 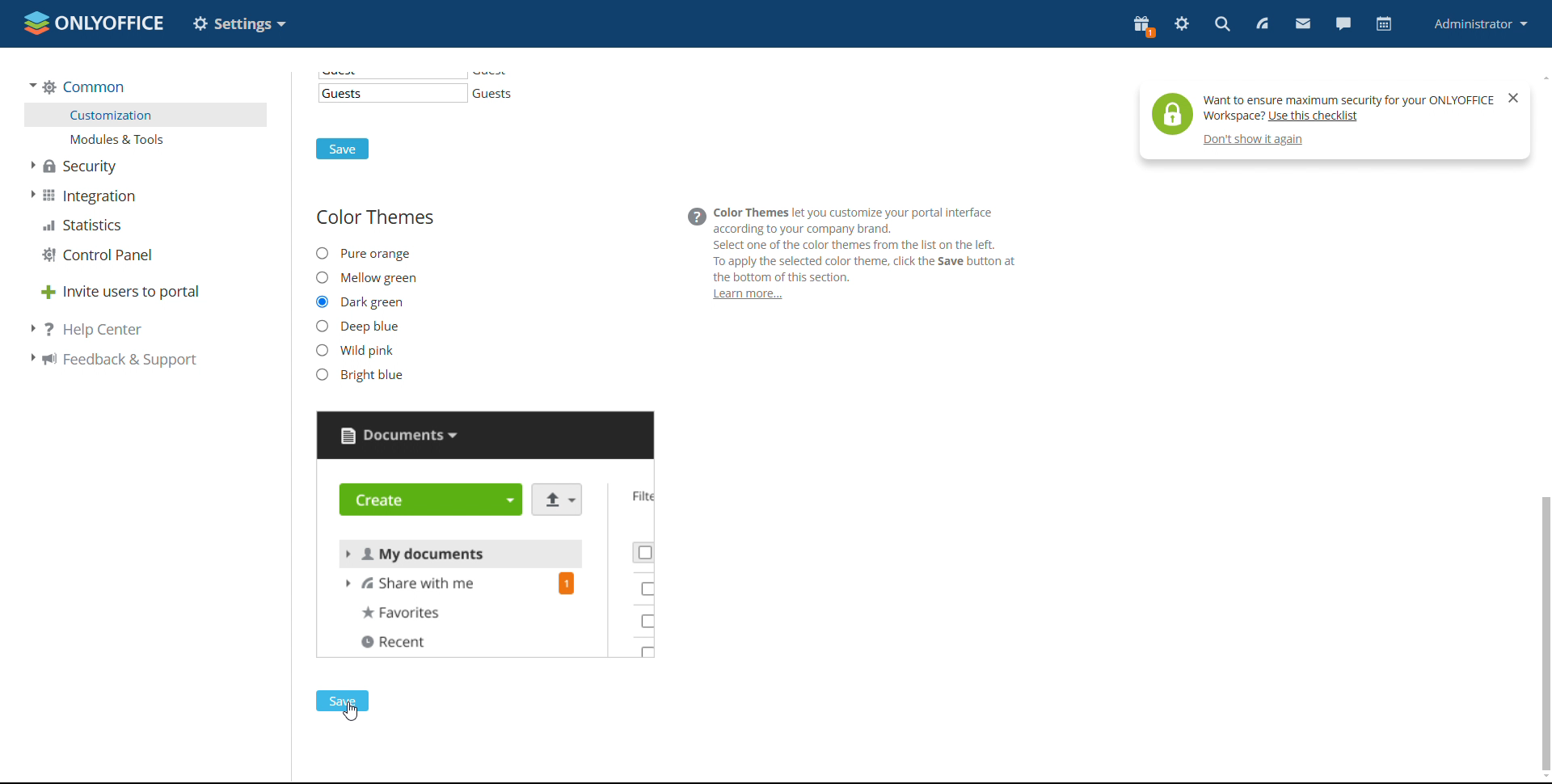 What do you see at coordinates (1513, 98) in the screenshot?
I see `close` at bounding box center [1513, 98].